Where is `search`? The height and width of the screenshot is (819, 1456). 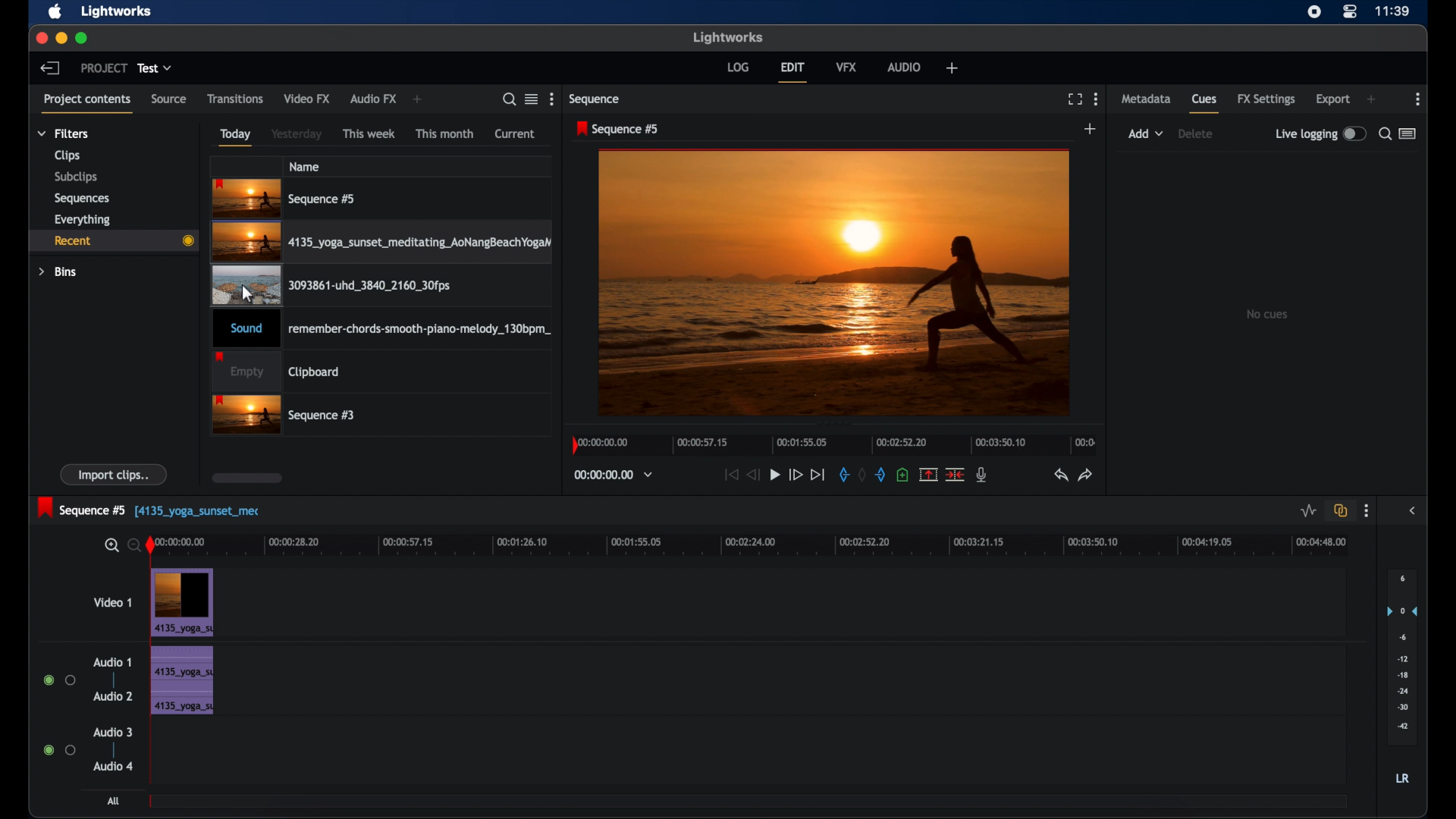 search is located at coordinates (1384, 135).